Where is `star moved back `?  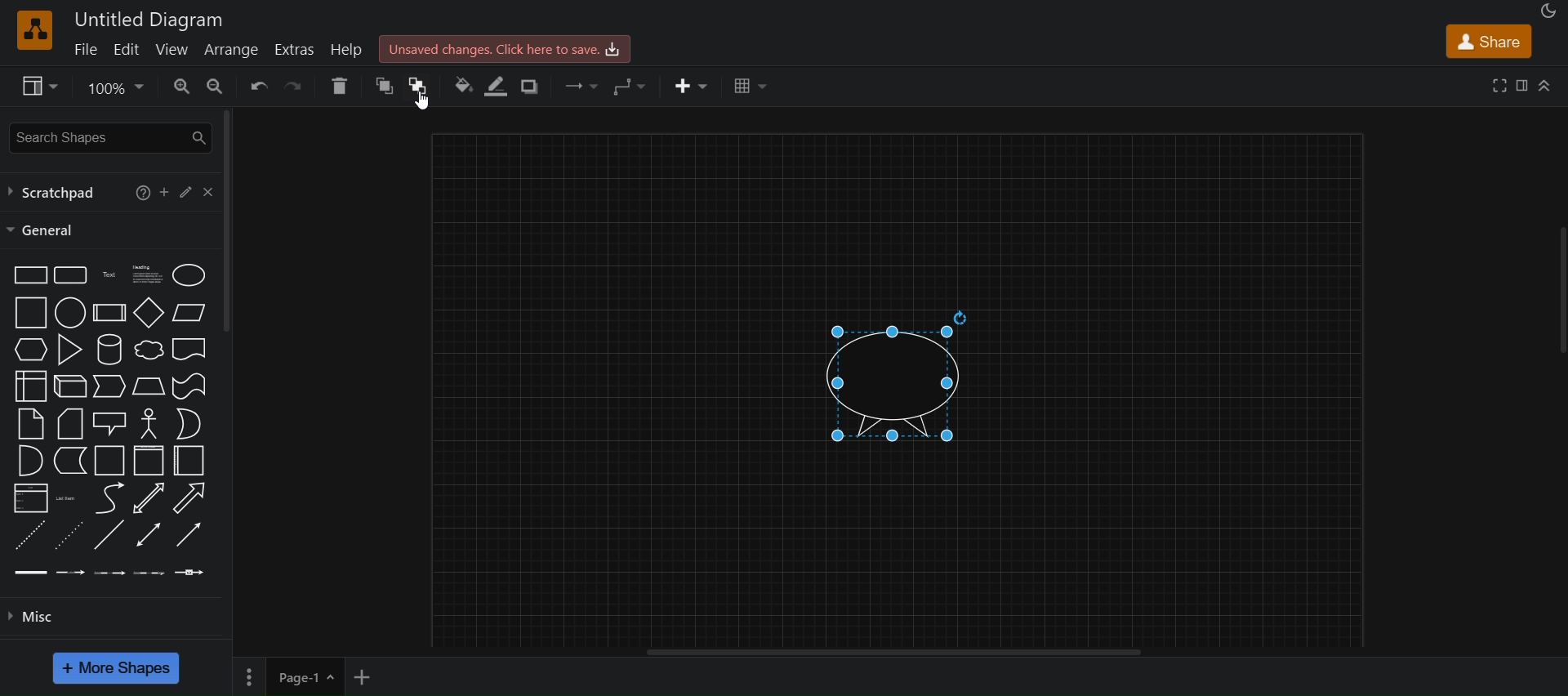 star moved back  is located at coordinates (890, 375).